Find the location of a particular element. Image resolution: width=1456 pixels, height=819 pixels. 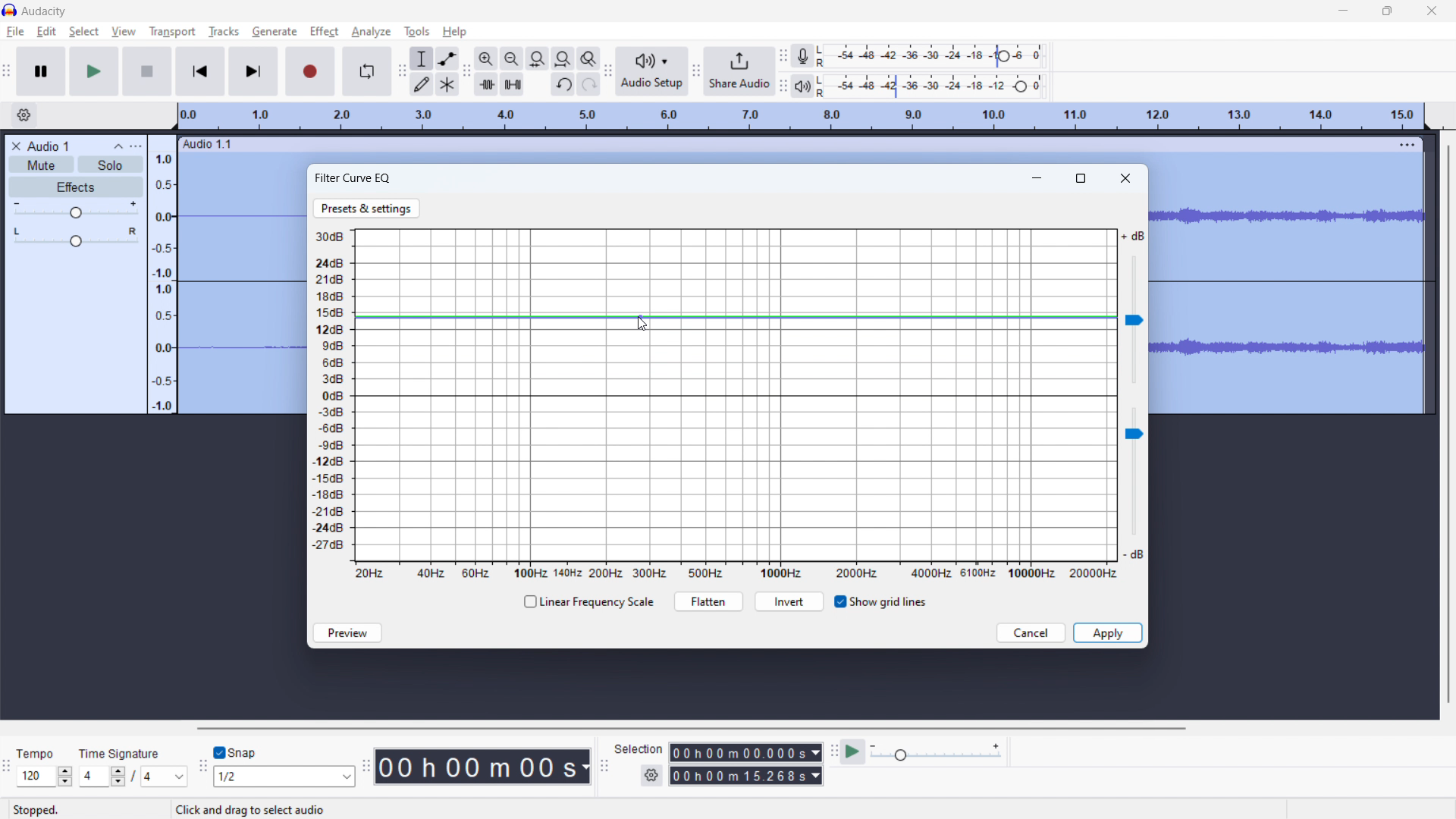

edit is located at coordinates (47, 32).